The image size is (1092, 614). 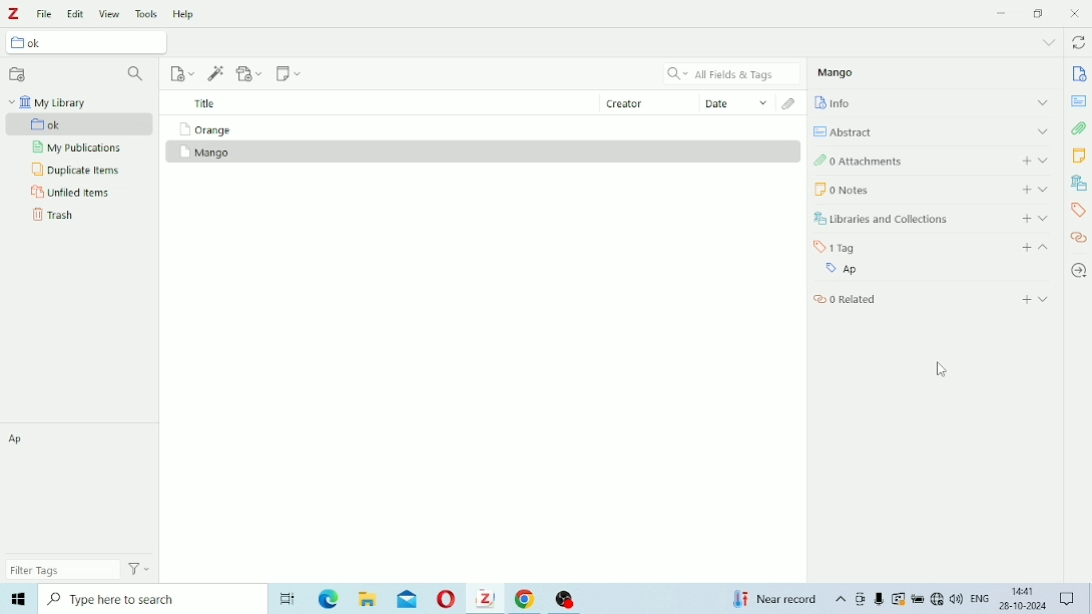 I want to click on Mango, so click(x=838, y=72).